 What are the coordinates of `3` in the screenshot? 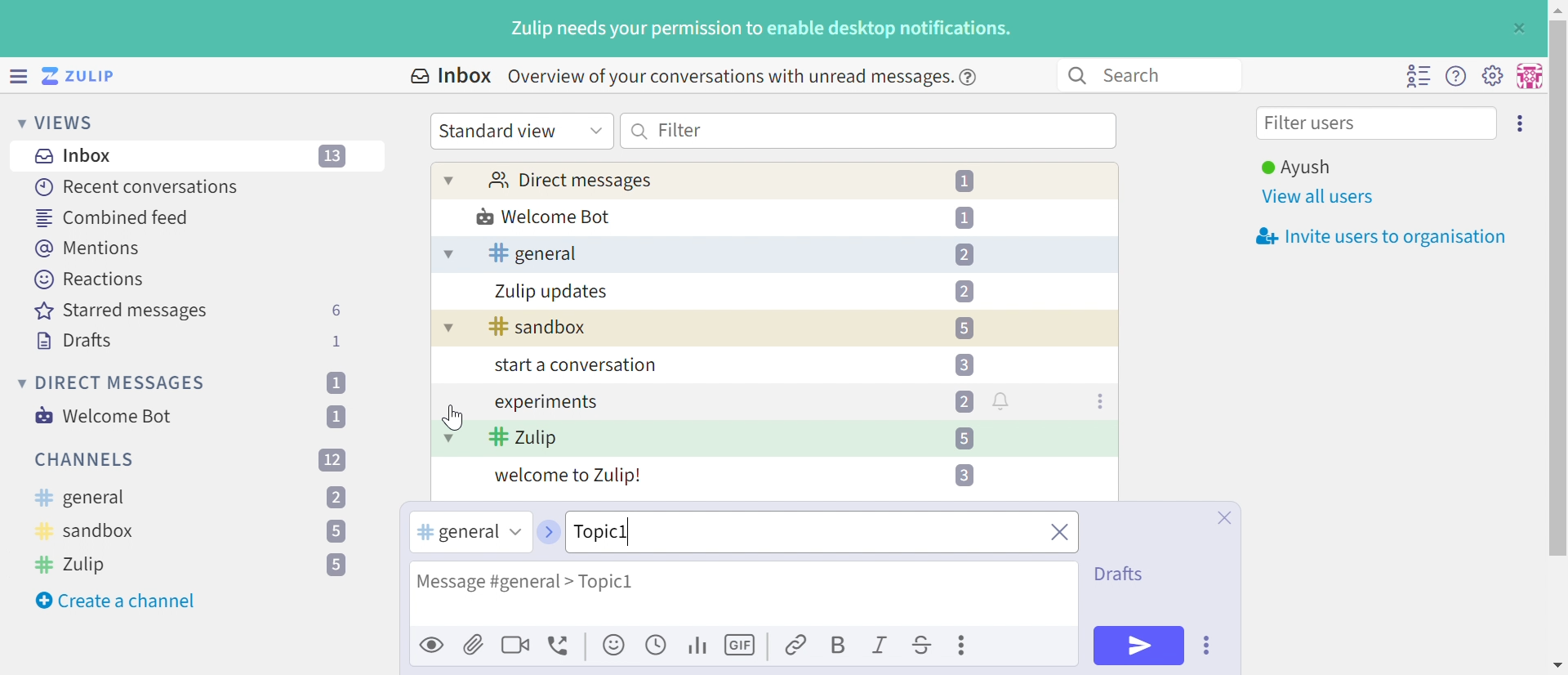 It's located at (962, 475).